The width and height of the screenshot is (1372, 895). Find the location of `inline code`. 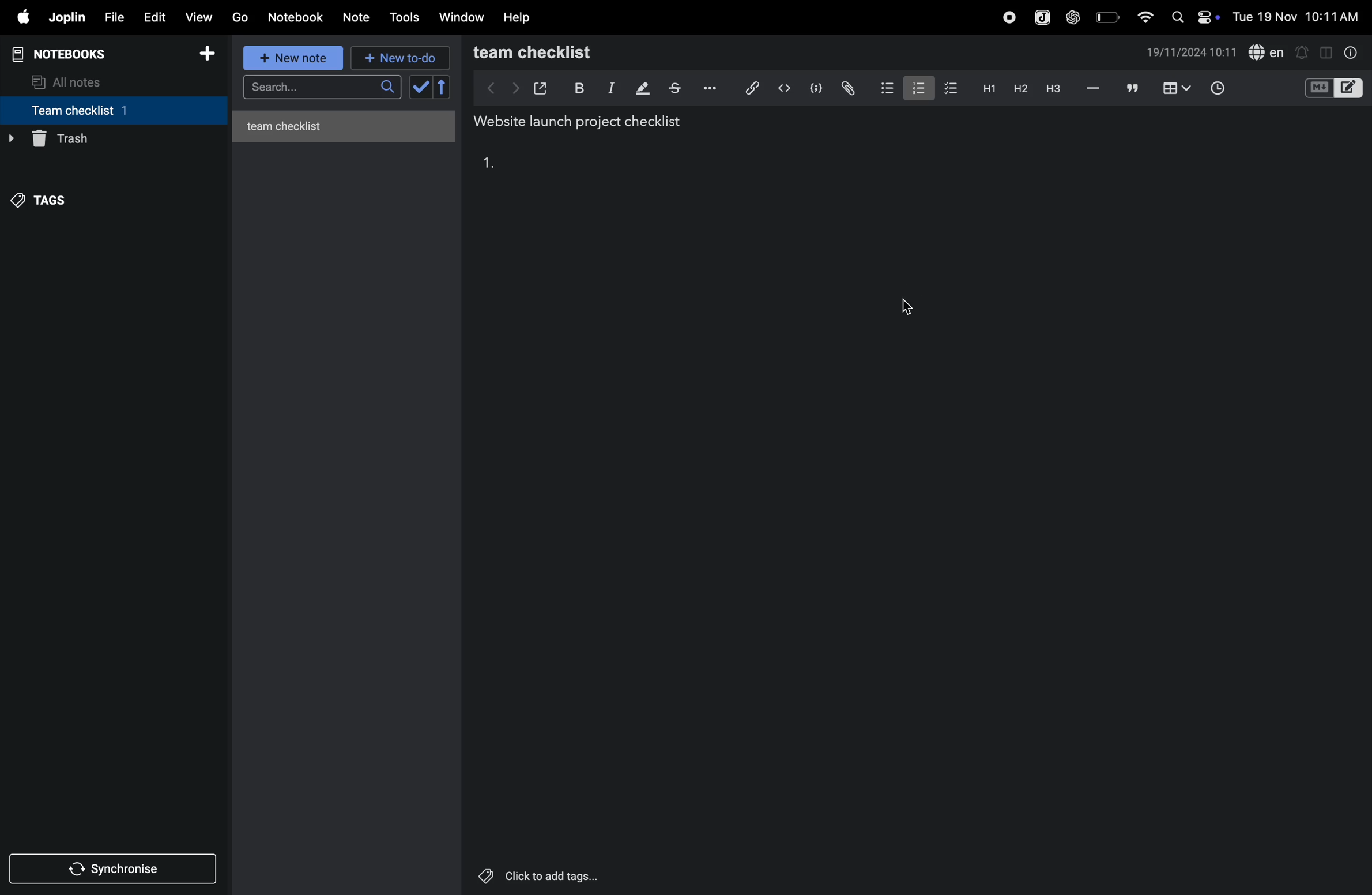

inline code is located at coordinates (784, 88).